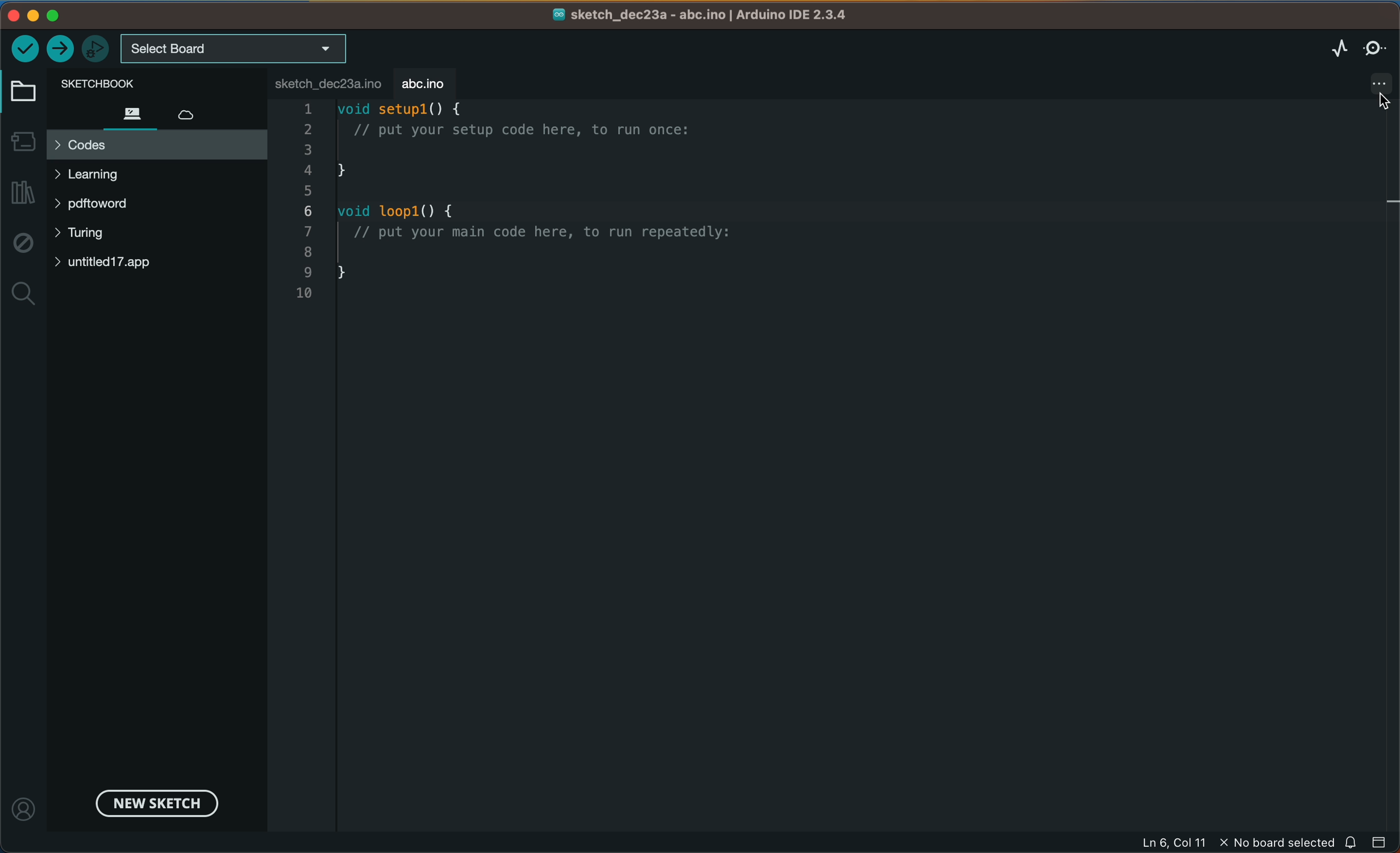  What do you see at coordinates (1234, 842) in the screenshot?
I see `file information` at bounding box center [1234, 842].